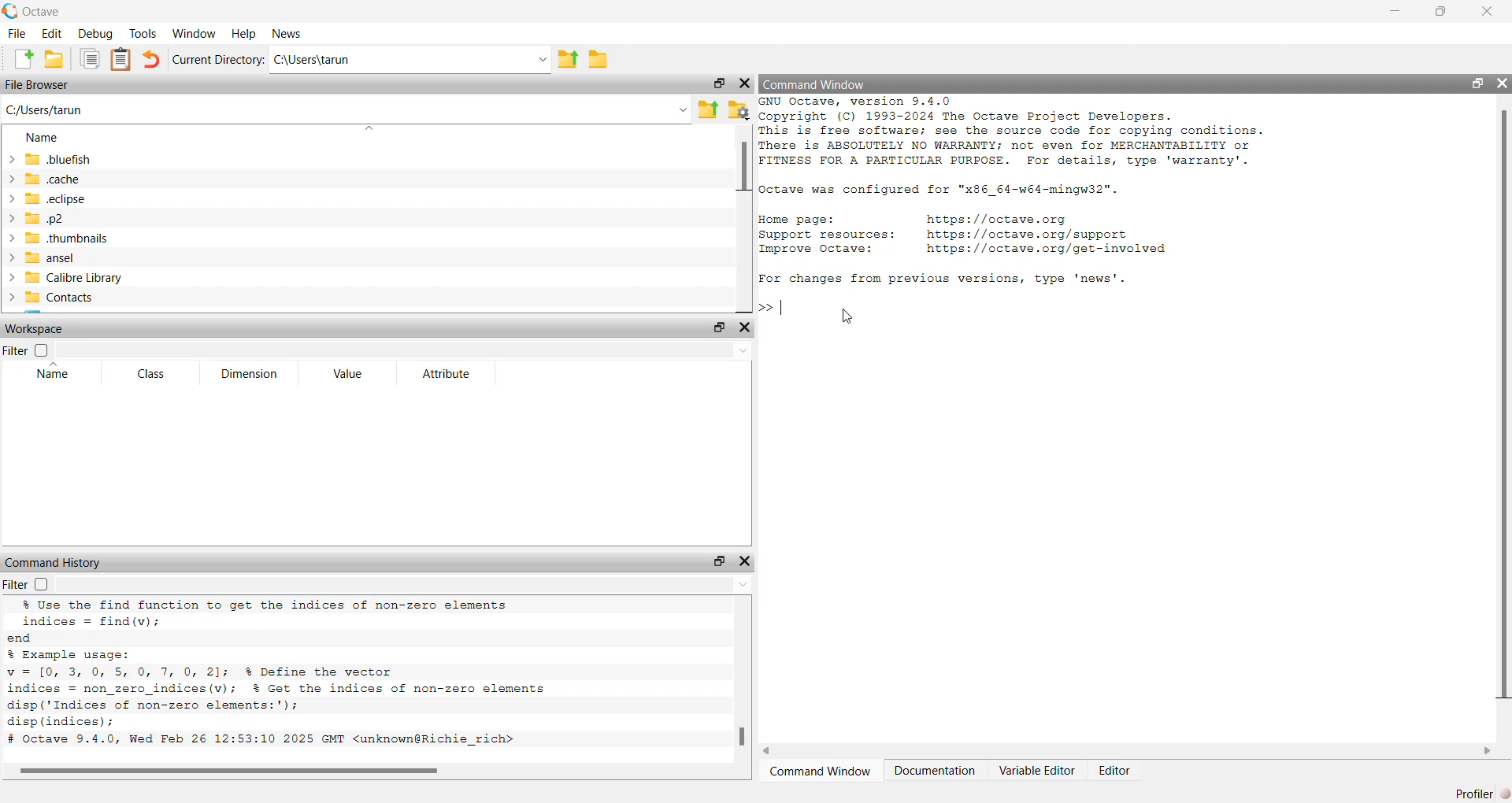 This screenshot has height=803, width=1512. Describe the element at coordinates (1503, 405) in the screenshot. I see `vertical scroll bar` at that location.